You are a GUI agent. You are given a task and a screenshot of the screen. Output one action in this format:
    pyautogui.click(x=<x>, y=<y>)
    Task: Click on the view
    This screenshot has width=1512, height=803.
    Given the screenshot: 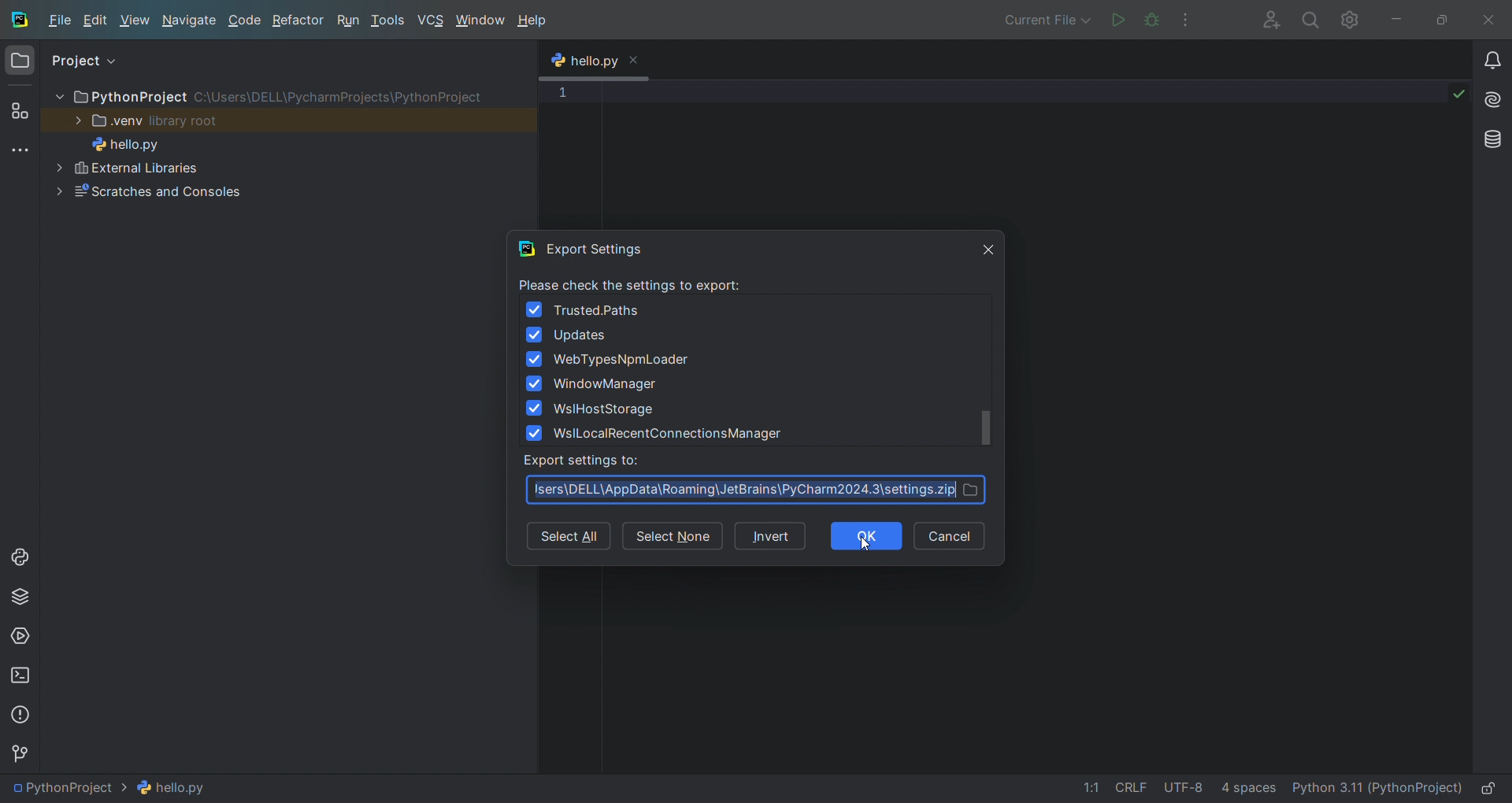 What is the action you would take?
    pyautogui.click(x=136, y=21)
    